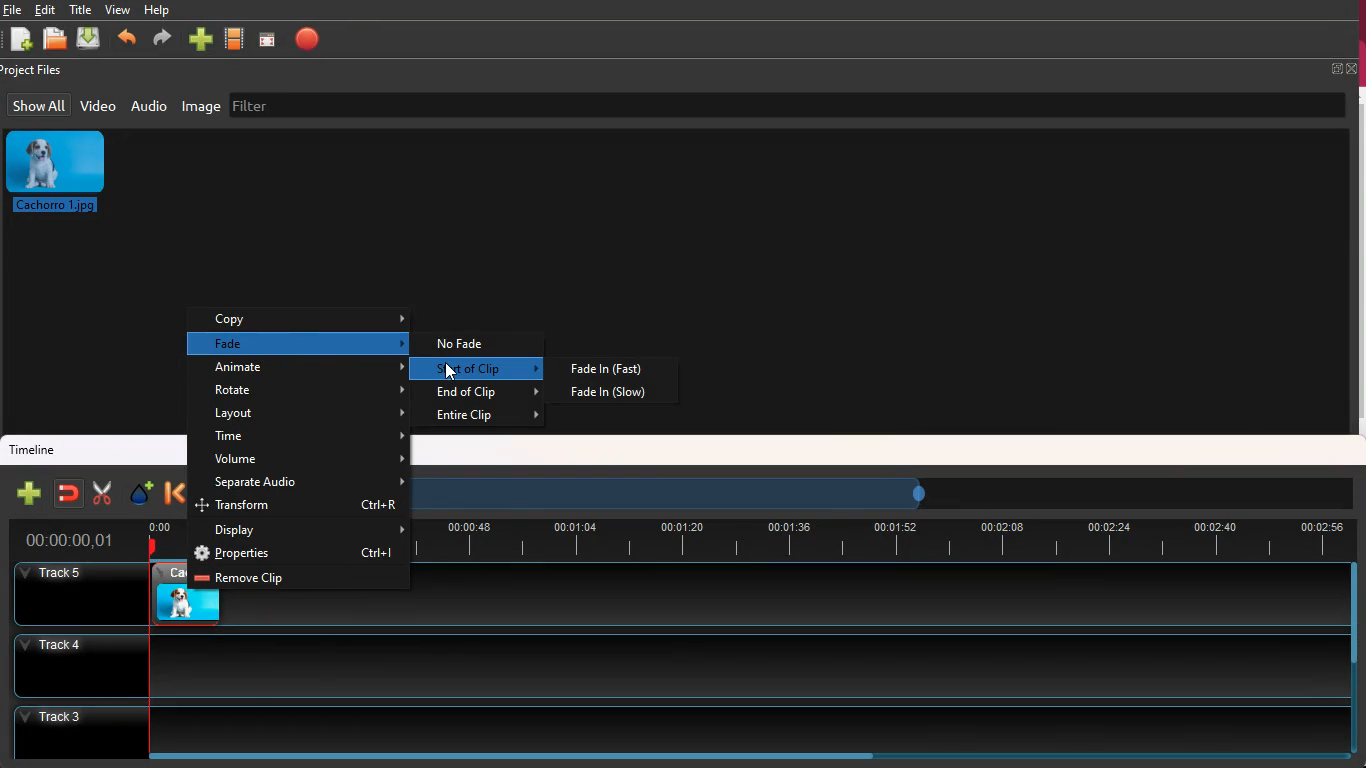 The height and width of the screenshot is (768, 1366). I want to click on movie, so click(237, 38).